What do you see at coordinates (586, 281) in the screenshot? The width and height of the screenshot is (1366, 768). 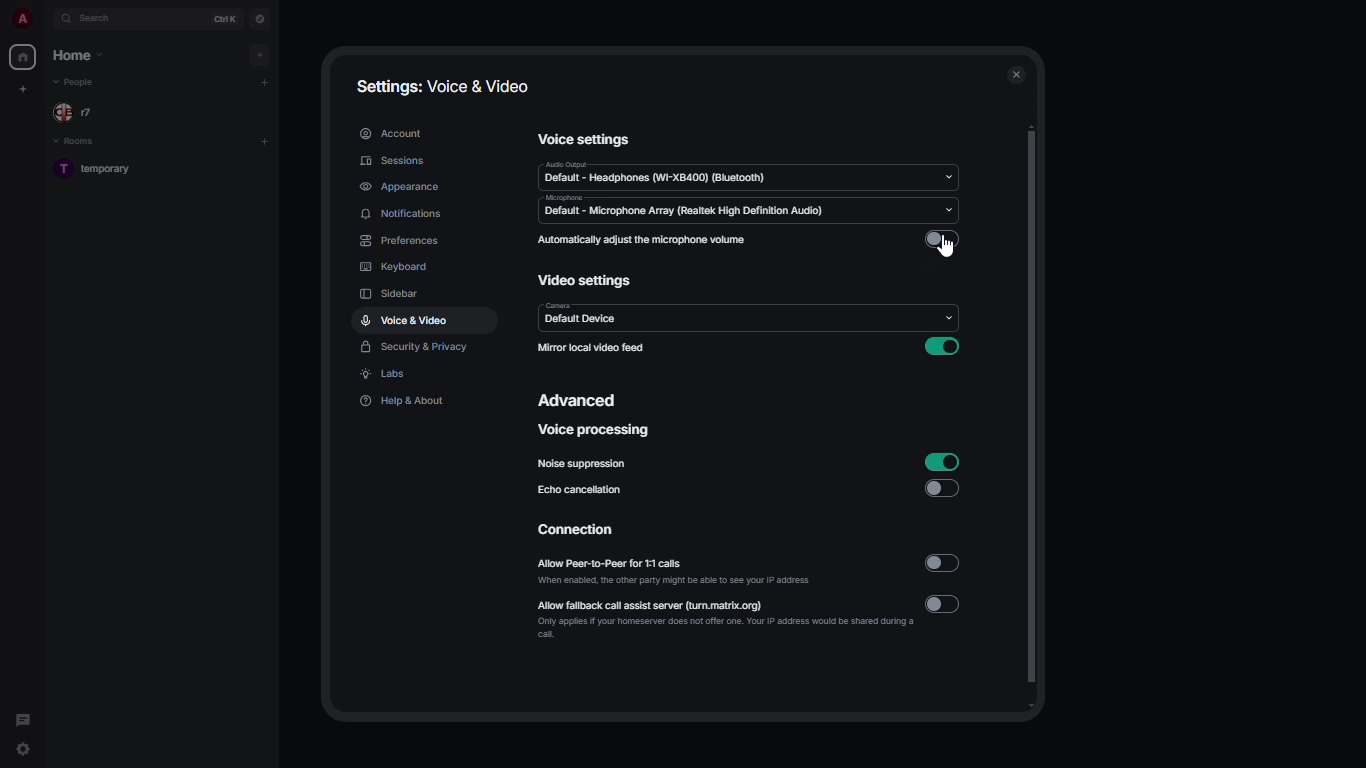 I see `video settings` at bounding box center [586, 281].